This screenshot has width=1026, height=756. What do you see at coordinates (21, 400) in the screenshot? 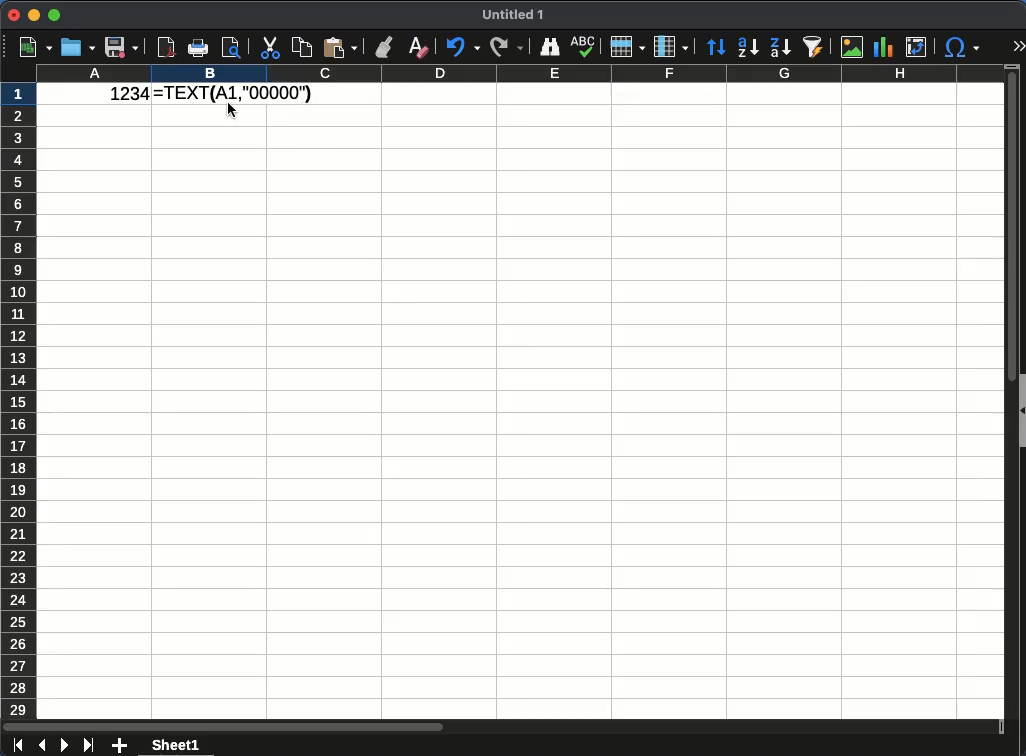
I see `rows` at bounding box center [21, 400].